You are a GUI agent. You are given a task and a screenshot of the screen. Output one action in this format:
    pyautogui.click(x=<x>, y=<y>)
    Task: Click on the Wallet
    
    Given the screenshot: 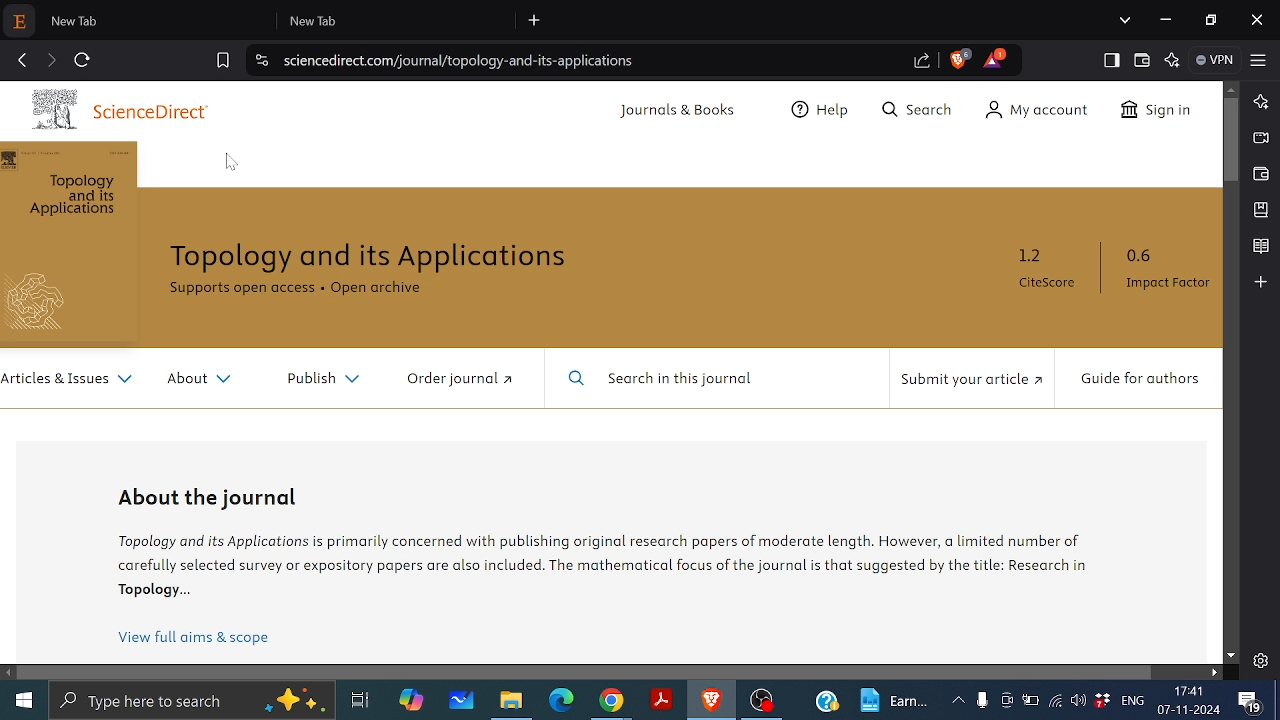 What is the action you would take?
    pyautogui.click(x=1142, y=60)
    